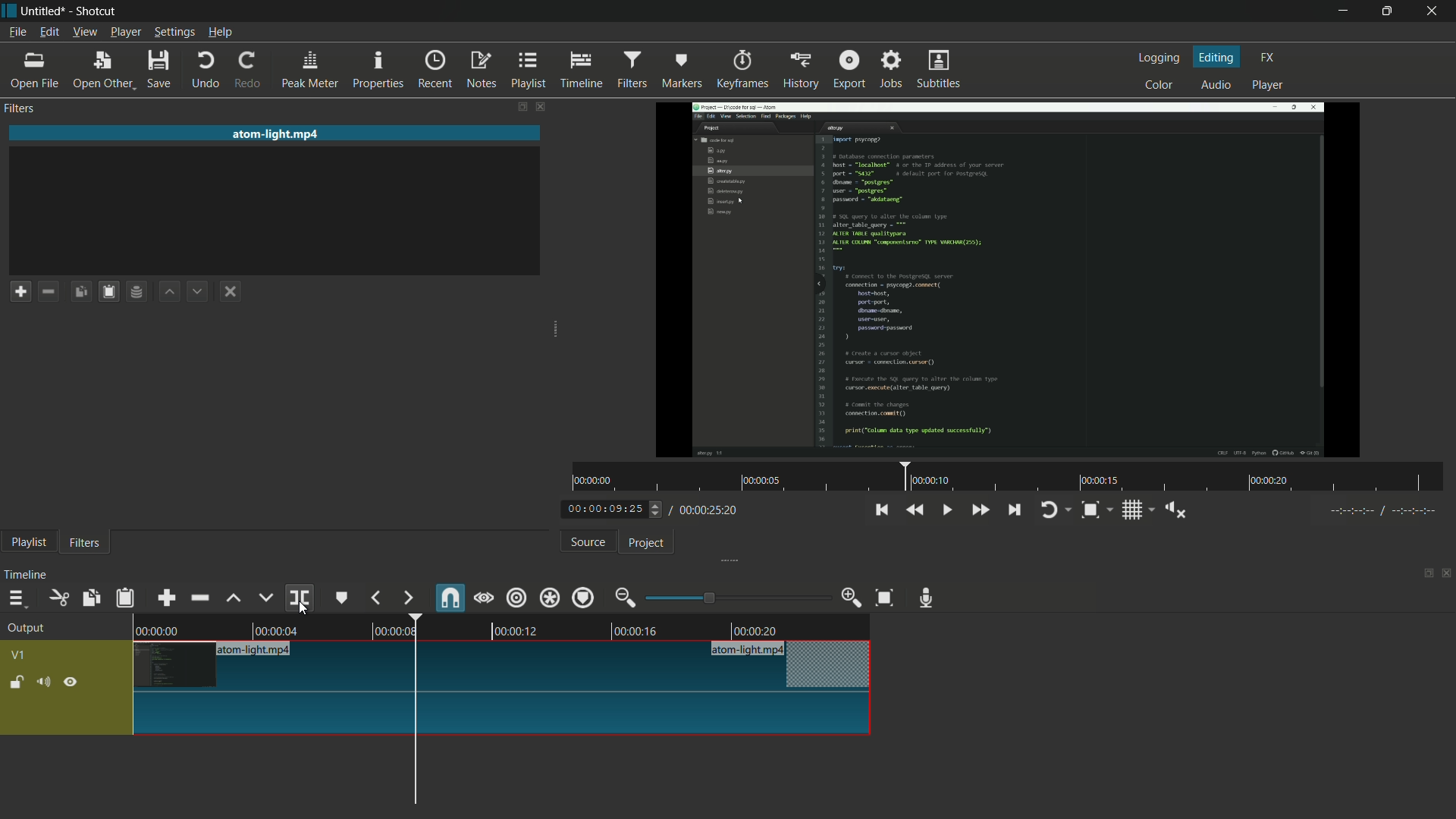 This screenshot has height=819, width=1456. Describe the element at coordinates (251, 71) in the screenshot. I see `redo` at that location.